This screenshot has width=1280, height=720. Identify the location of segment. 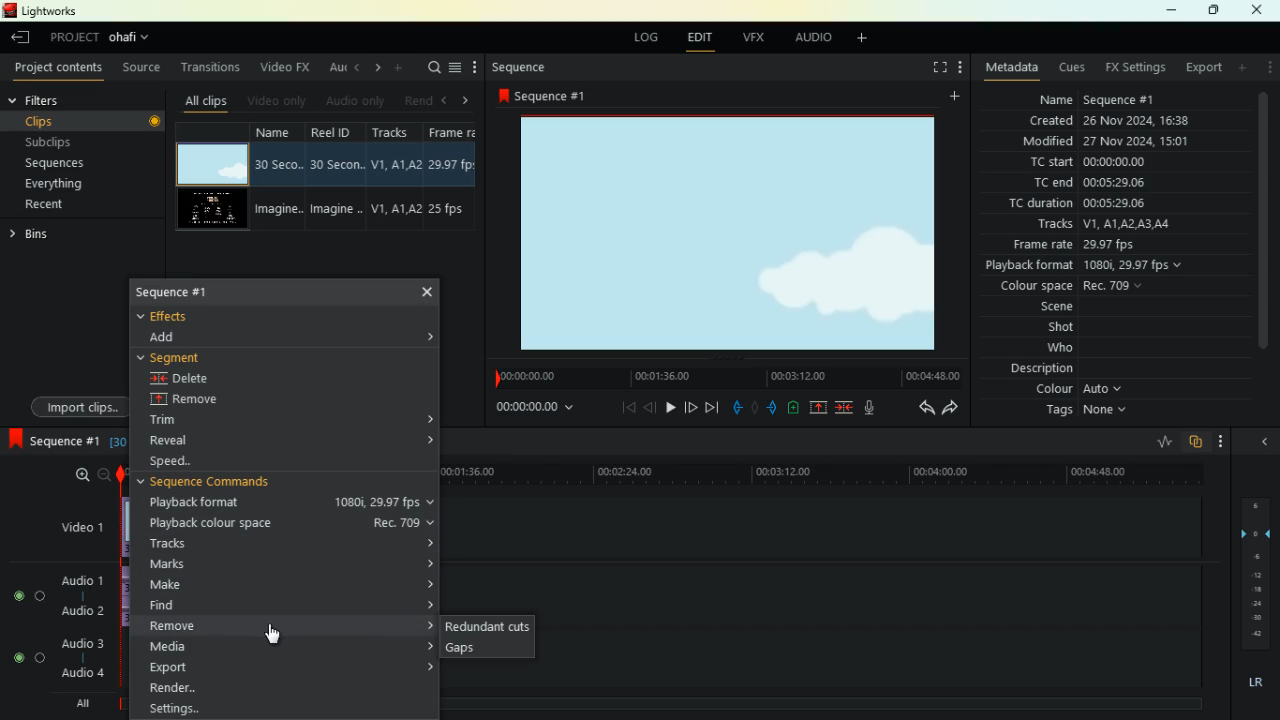
(175, 358).